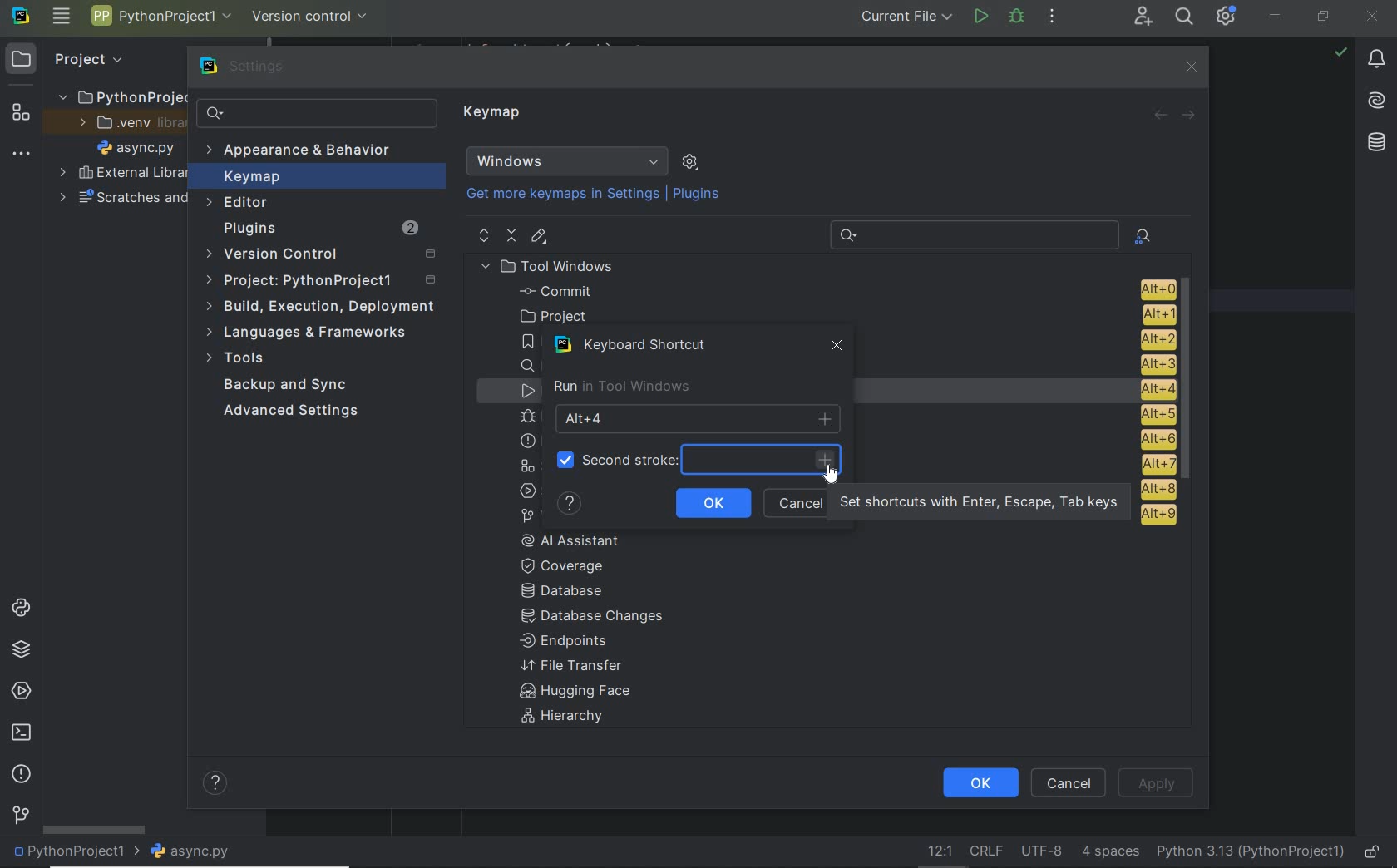 This screenshot has width=1397, height=868. I want to click on current file, so click(901, 18).